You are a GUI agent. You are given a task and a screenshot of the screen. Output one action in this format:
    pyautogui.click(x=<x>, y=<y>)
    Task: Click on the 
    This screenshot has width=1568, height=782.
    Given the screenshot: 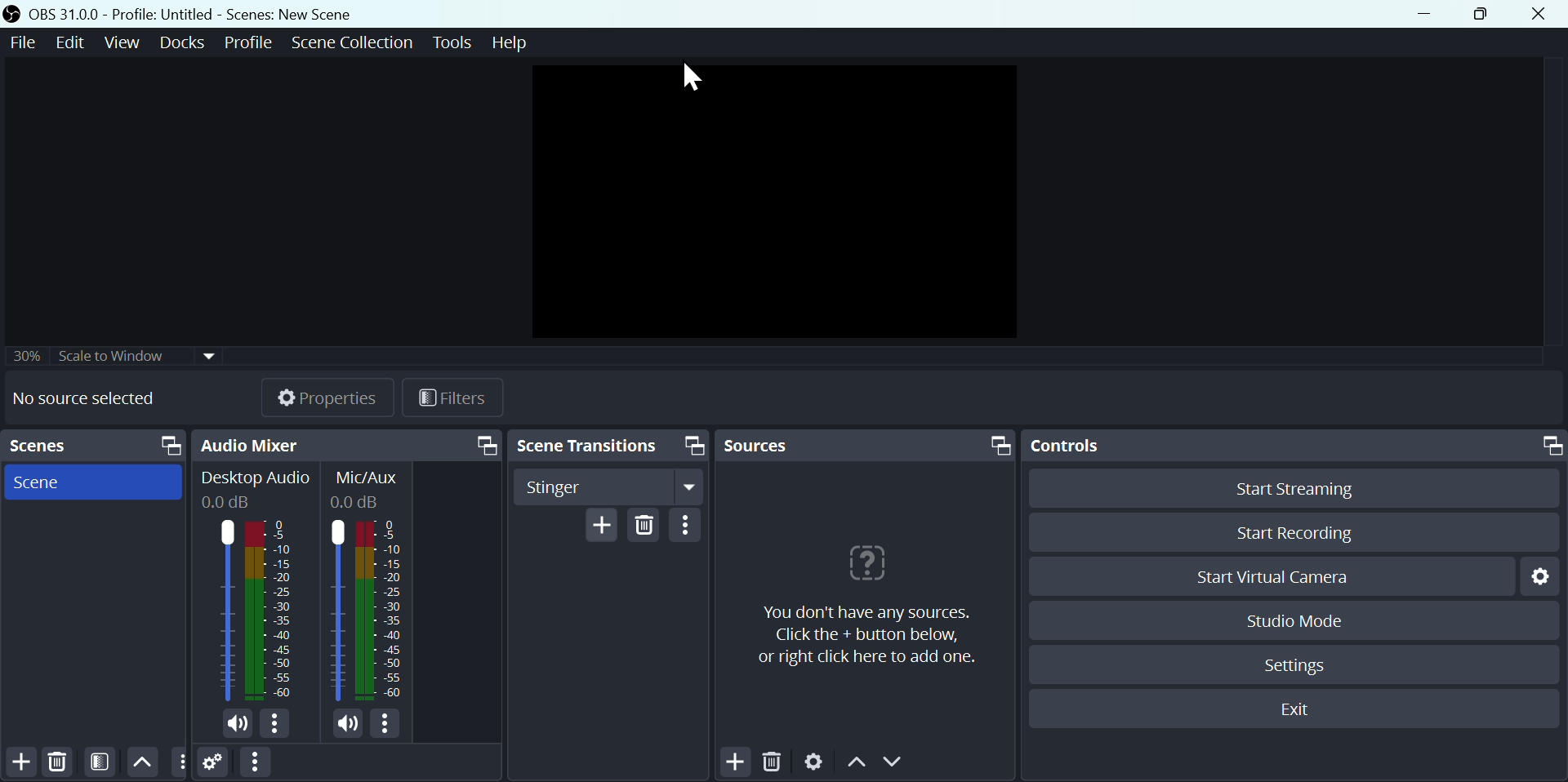 What is the action you would take?
    pyautogui.click(x=73, y=42)
    